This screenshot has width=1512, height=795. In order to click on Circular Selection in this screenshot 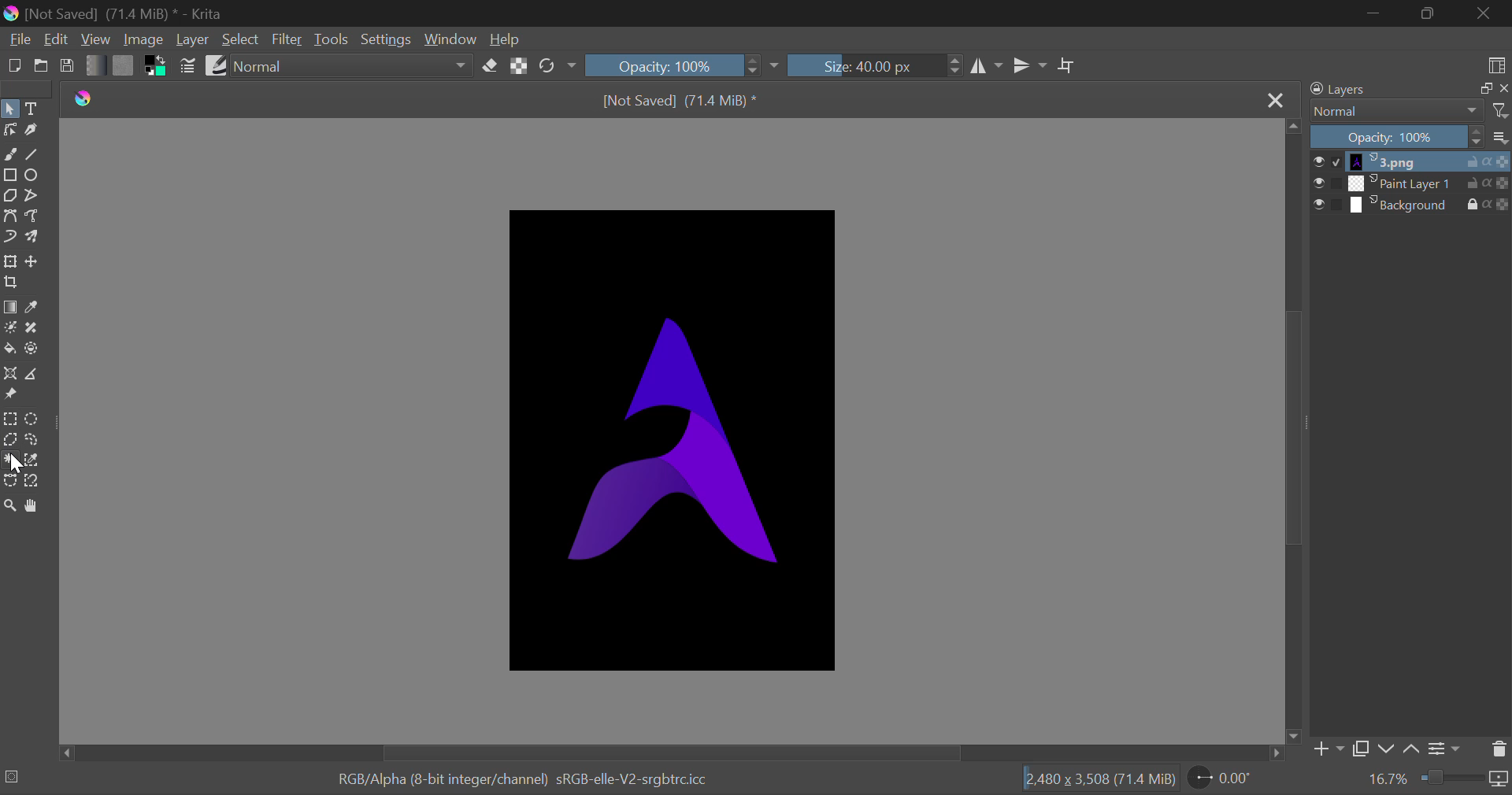, I will do `click(33, 420)`.